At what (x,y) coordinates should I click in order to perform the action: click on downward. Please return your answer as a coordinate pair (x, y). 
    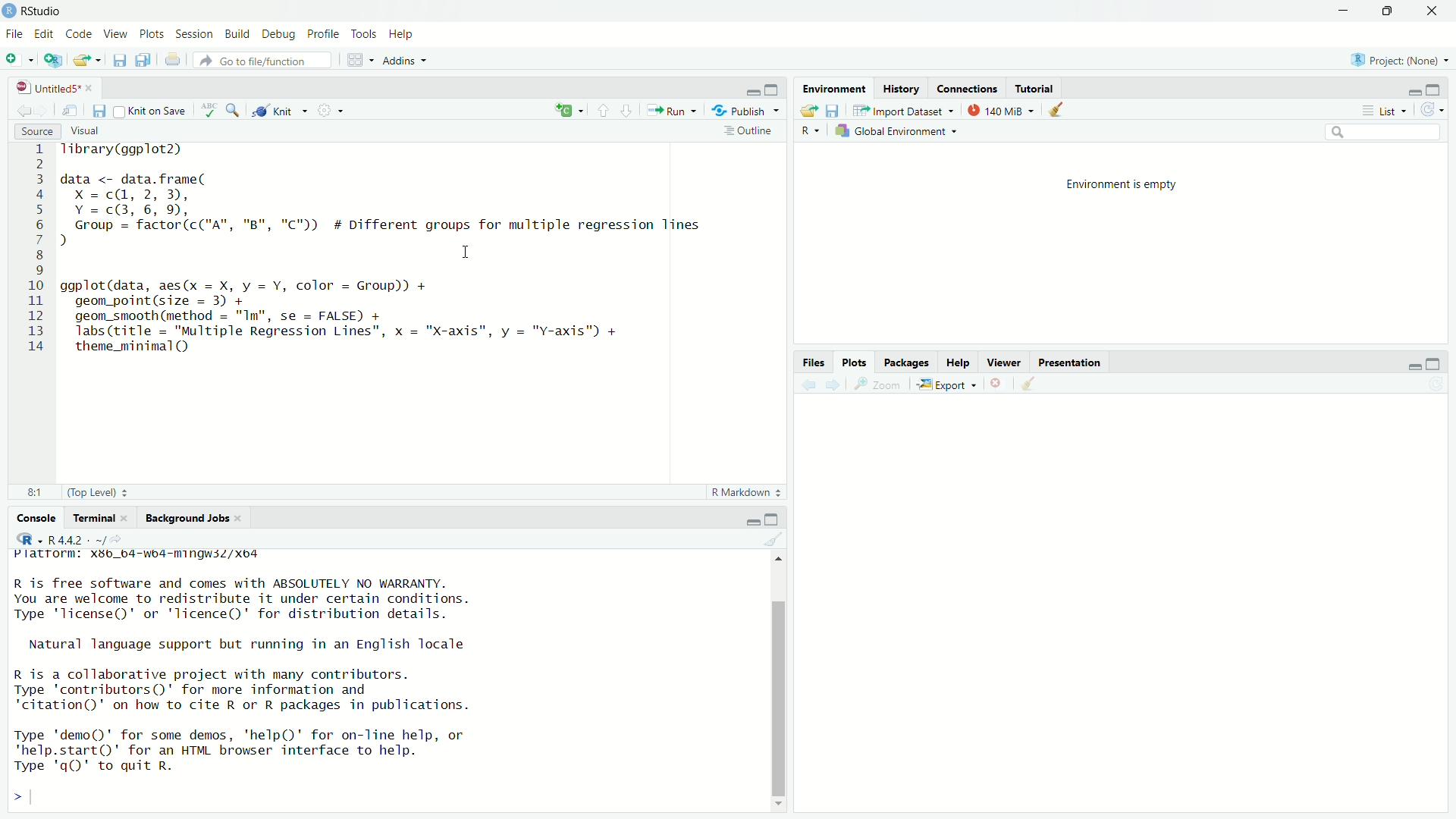
    Looking at the image, I should click on (630, 113).